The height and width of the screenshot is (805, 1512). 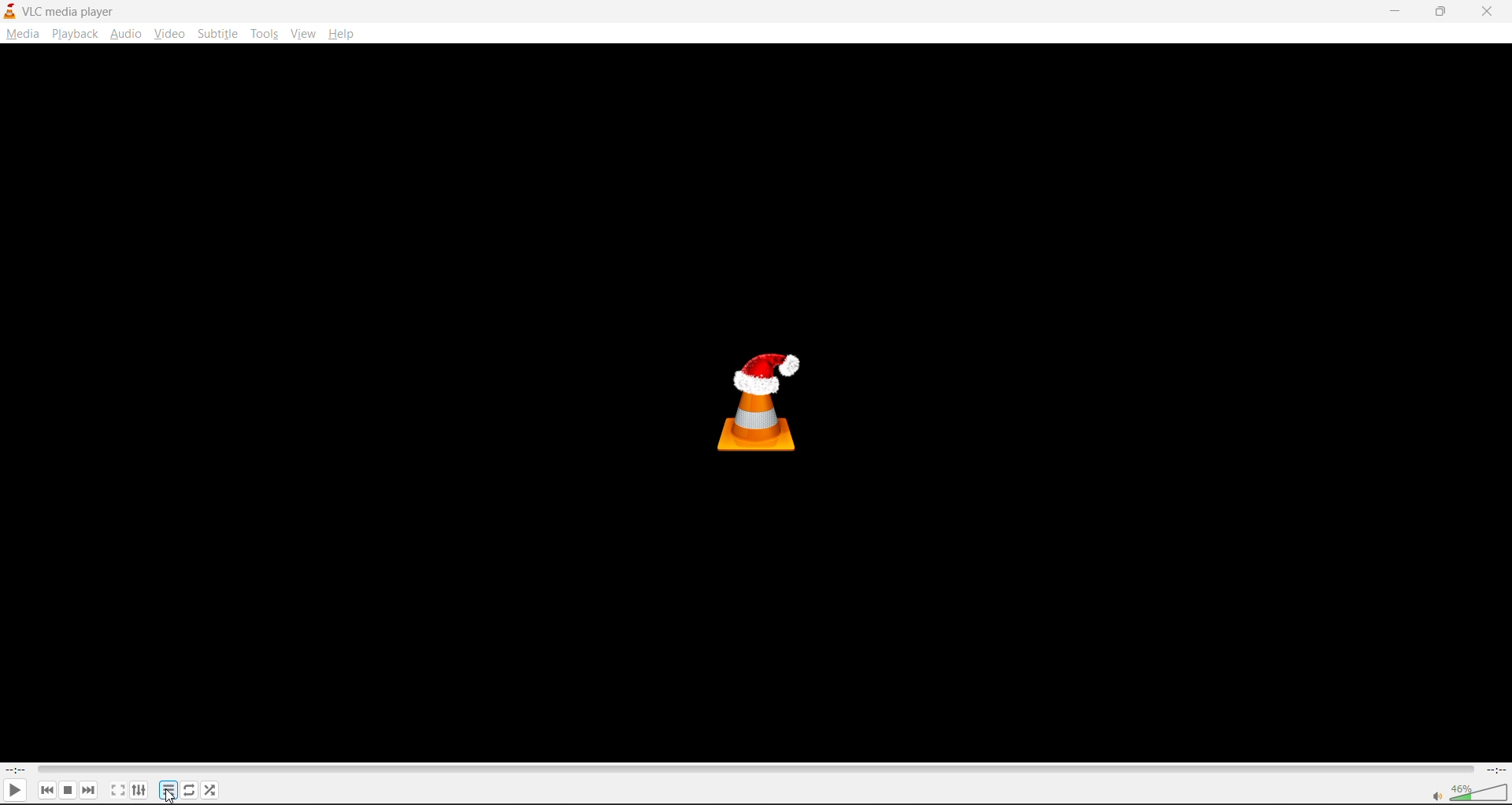 I want to click on playback, so click(x=75, y=34).